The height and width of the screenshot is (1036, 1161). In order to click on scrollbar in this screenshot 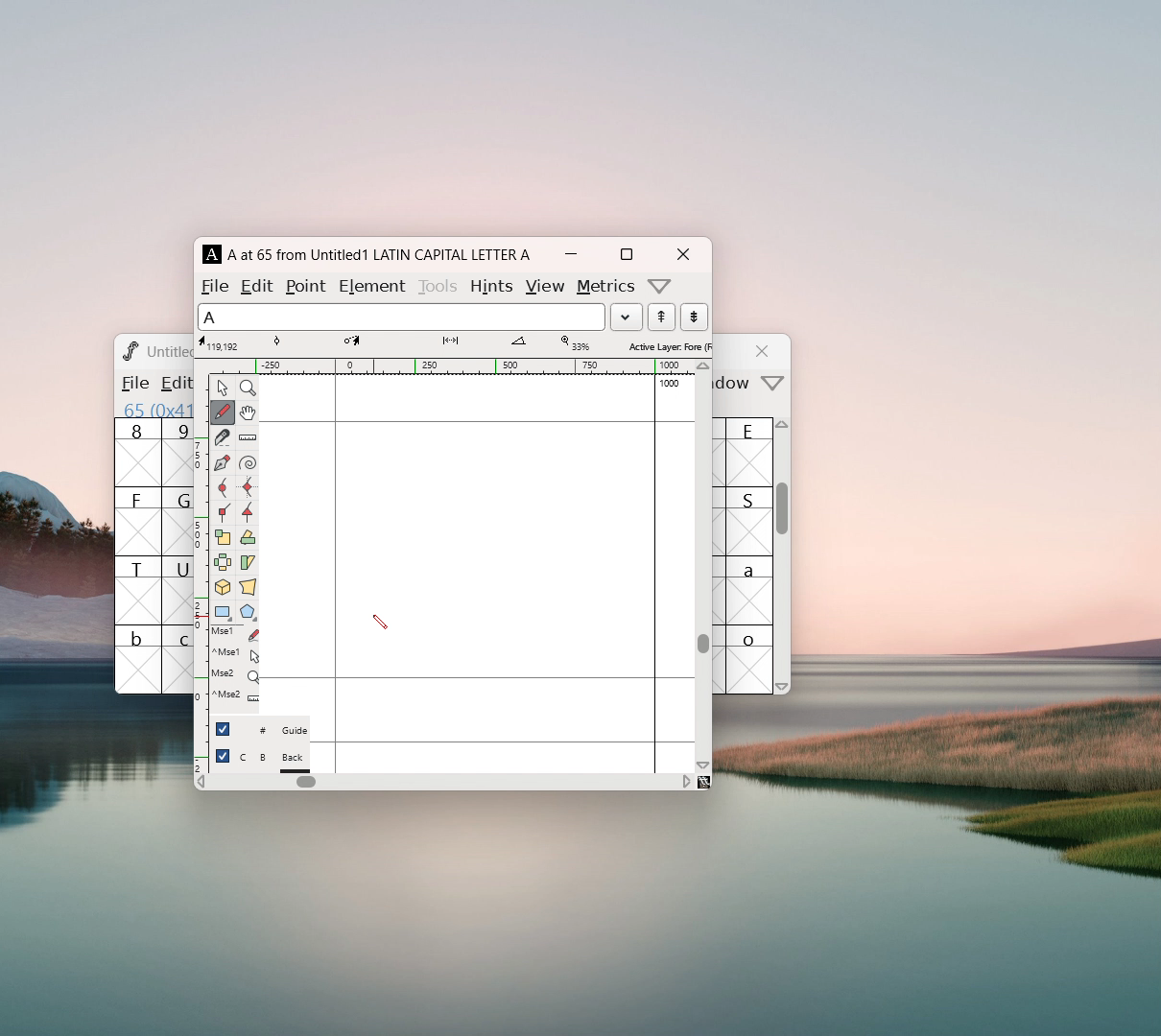, I will do `click(703, 643)`.